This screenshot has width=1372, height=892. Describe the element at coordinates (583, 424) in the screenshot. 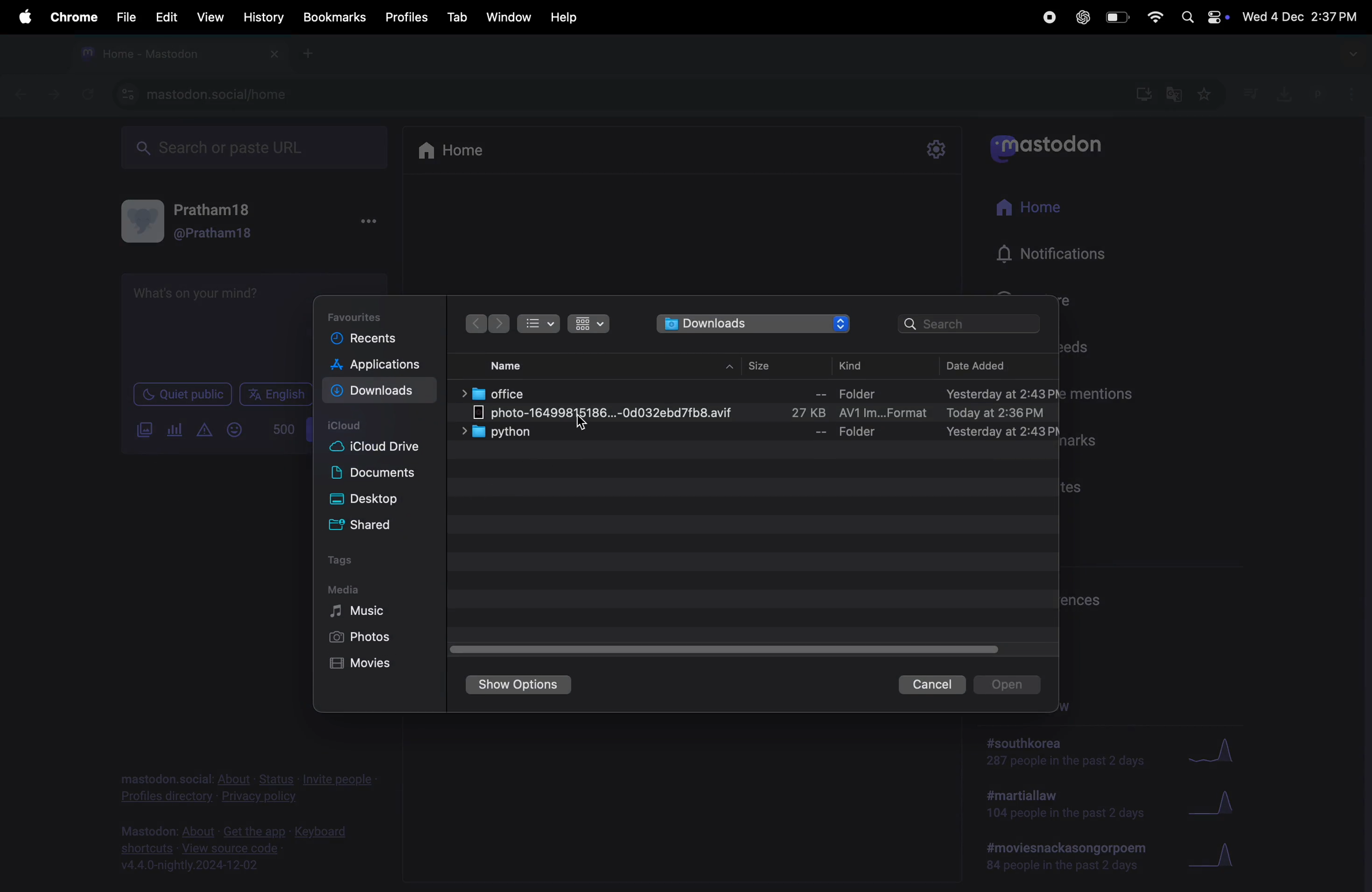

I see `cursor` at that location.